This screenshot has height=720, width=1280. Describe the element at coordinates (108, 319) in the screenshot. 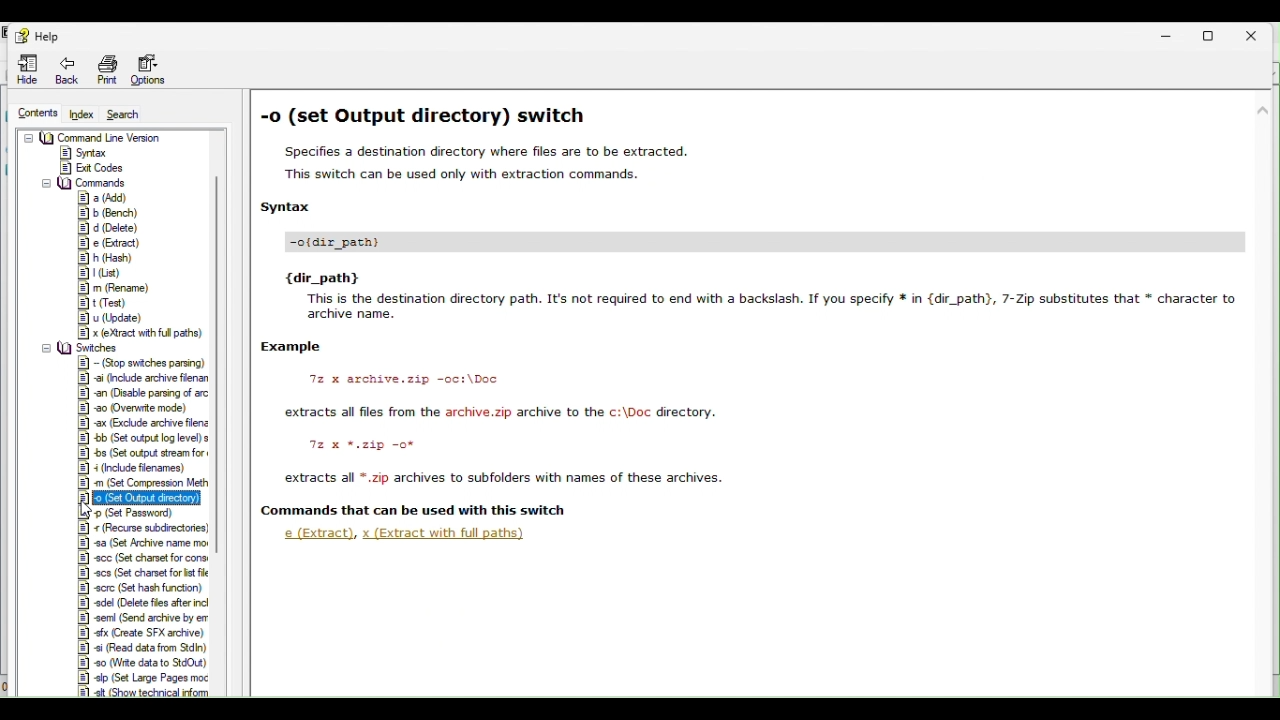

I see `Update` at that location.